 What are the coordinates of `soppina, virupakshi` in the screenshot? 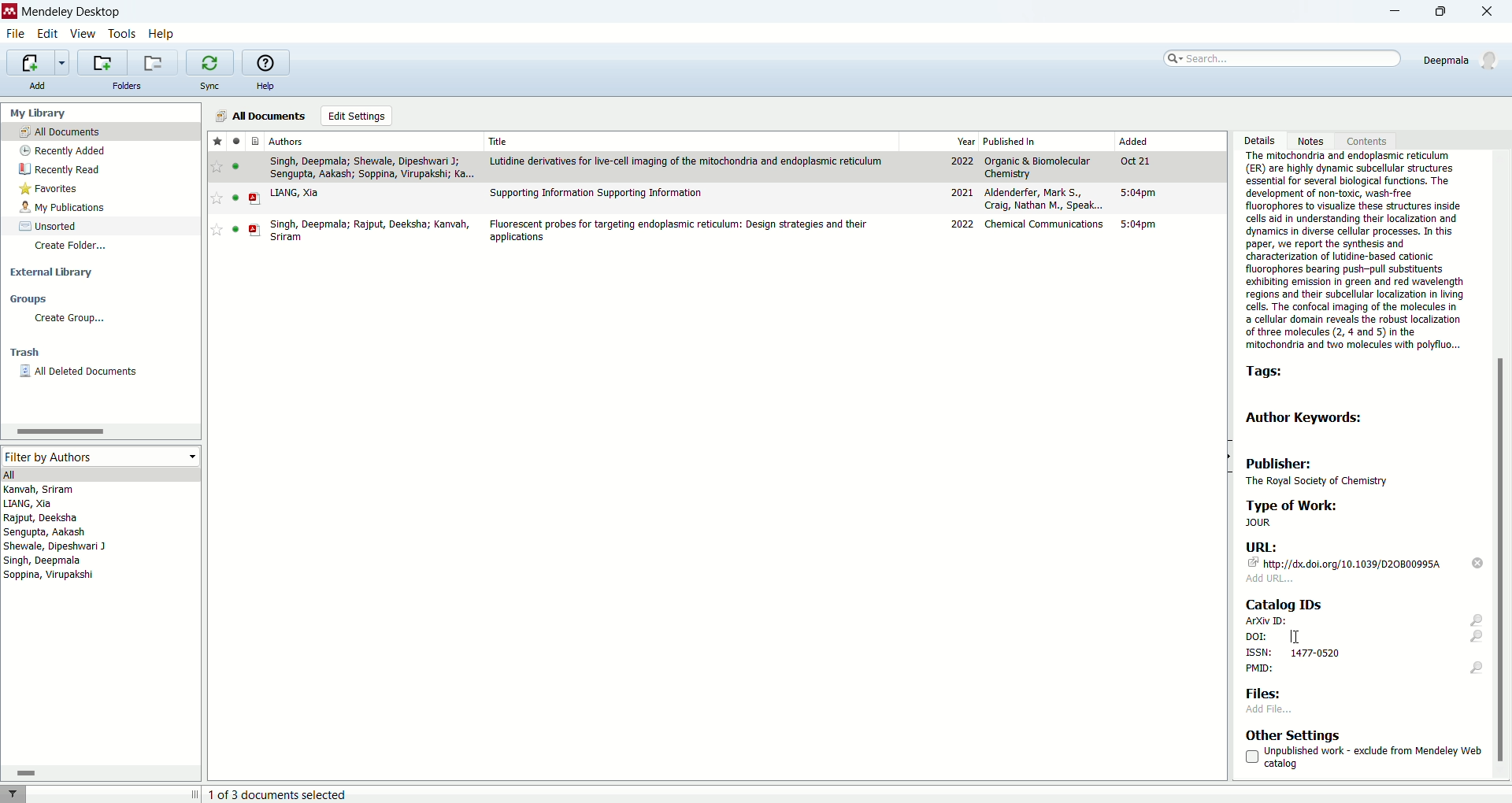 It's located at (50, 574).